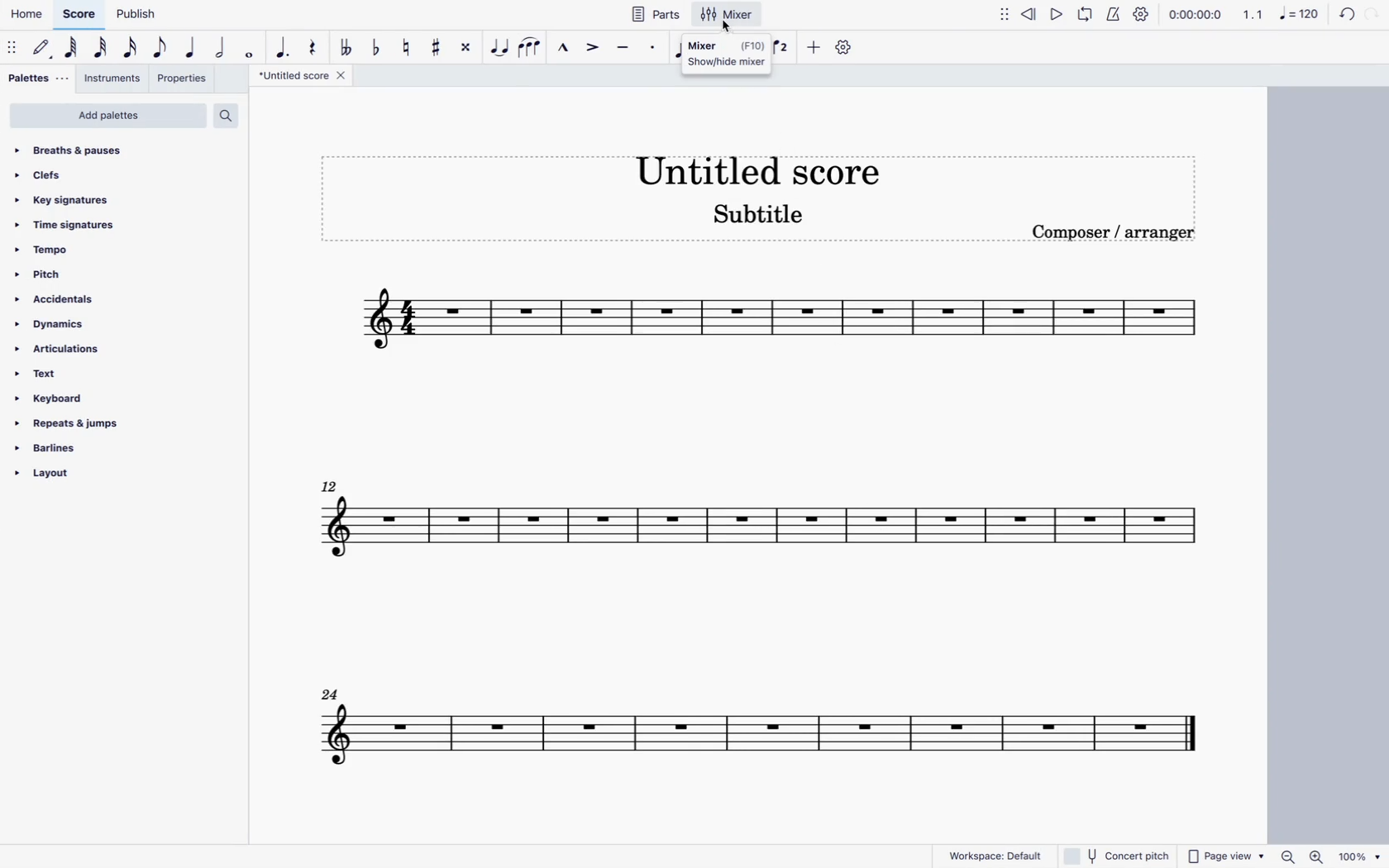 This screenshot has width=1389, height=868. I want to click on parts, so click(655, 13).